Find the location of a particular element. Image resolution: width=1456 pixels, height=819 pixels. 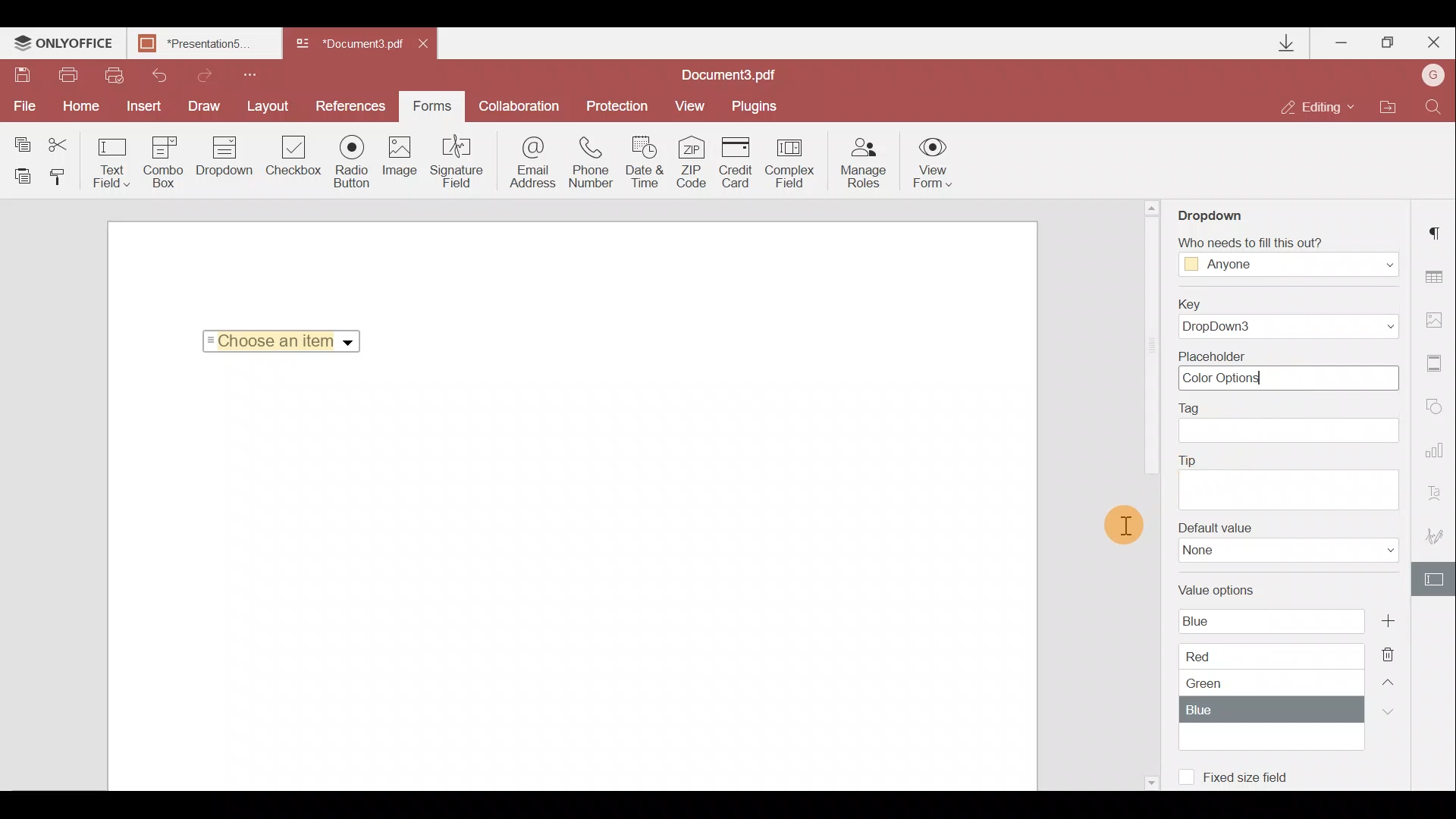

Image is located at coordinates (403, 161).